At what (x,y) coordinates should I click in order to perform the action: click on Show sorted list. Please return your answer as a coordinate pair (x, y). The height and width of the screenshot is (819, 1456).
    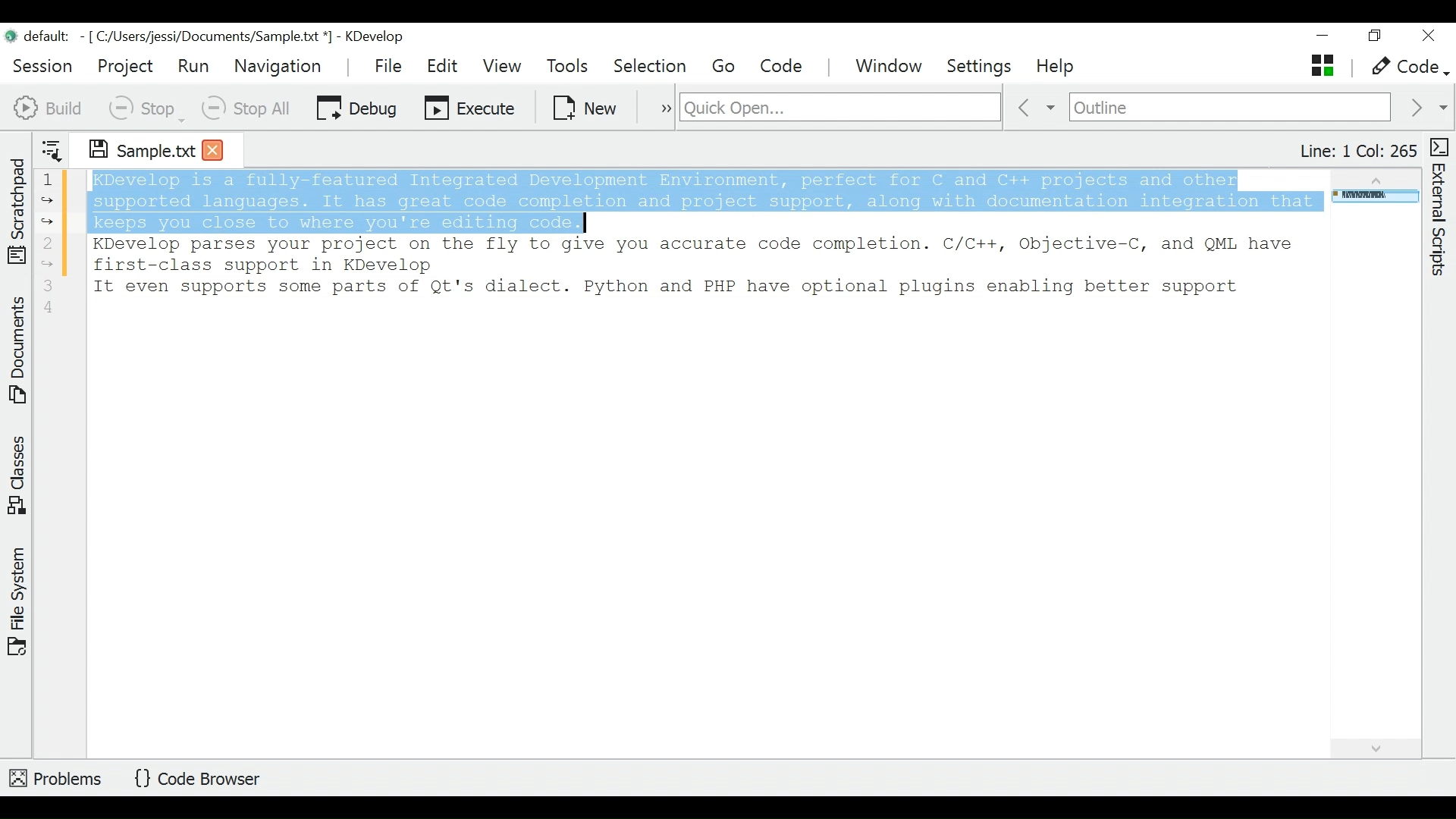
    Looking at the image, I should click on (52, 147).